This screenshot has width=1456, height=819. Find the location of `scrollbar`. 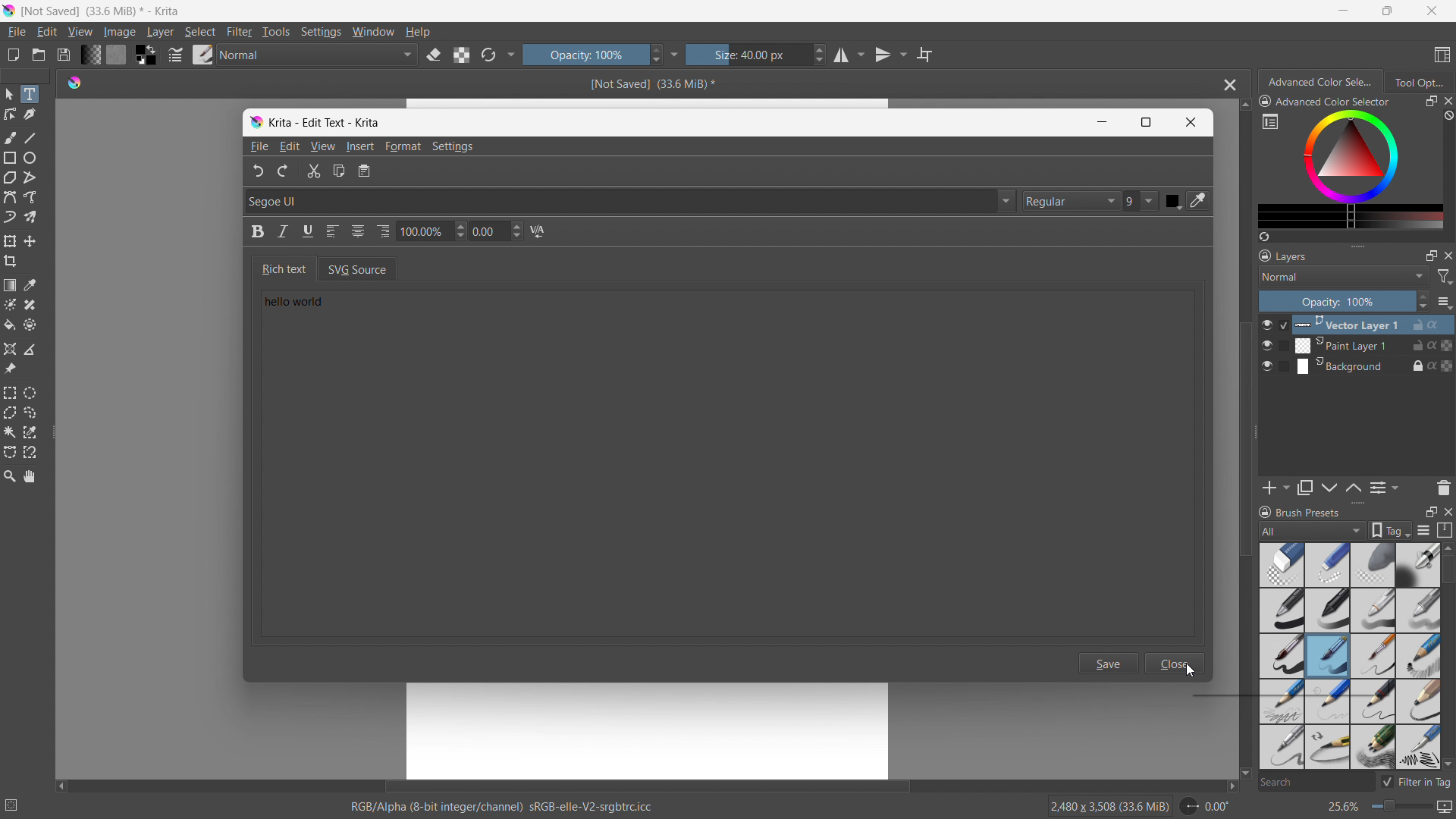

scrollbar is located at coordinates (1447, 635).